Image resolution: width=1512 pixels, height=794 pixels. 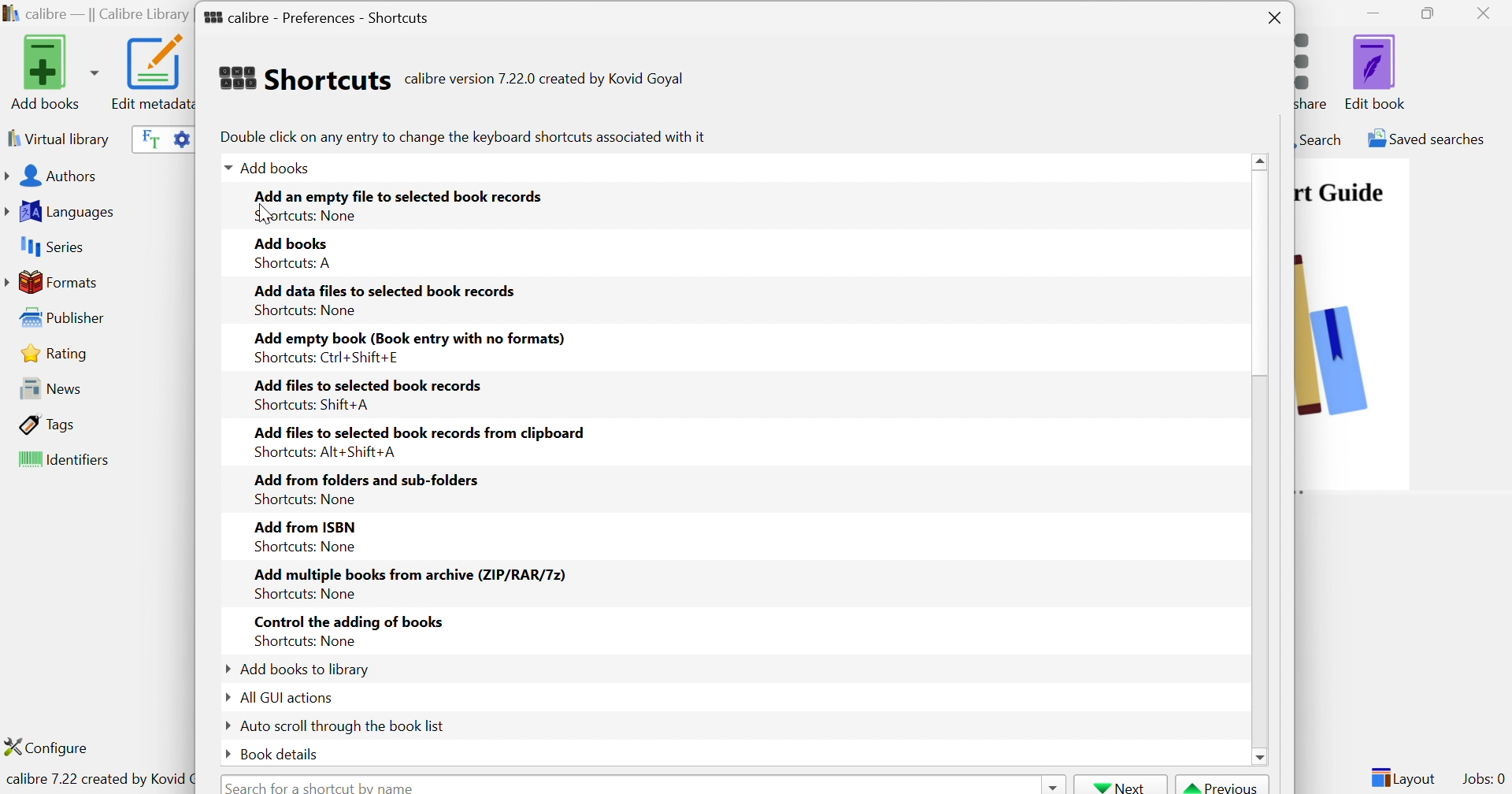 I want to click on Shortcuts none, so click(x=308, y=217).